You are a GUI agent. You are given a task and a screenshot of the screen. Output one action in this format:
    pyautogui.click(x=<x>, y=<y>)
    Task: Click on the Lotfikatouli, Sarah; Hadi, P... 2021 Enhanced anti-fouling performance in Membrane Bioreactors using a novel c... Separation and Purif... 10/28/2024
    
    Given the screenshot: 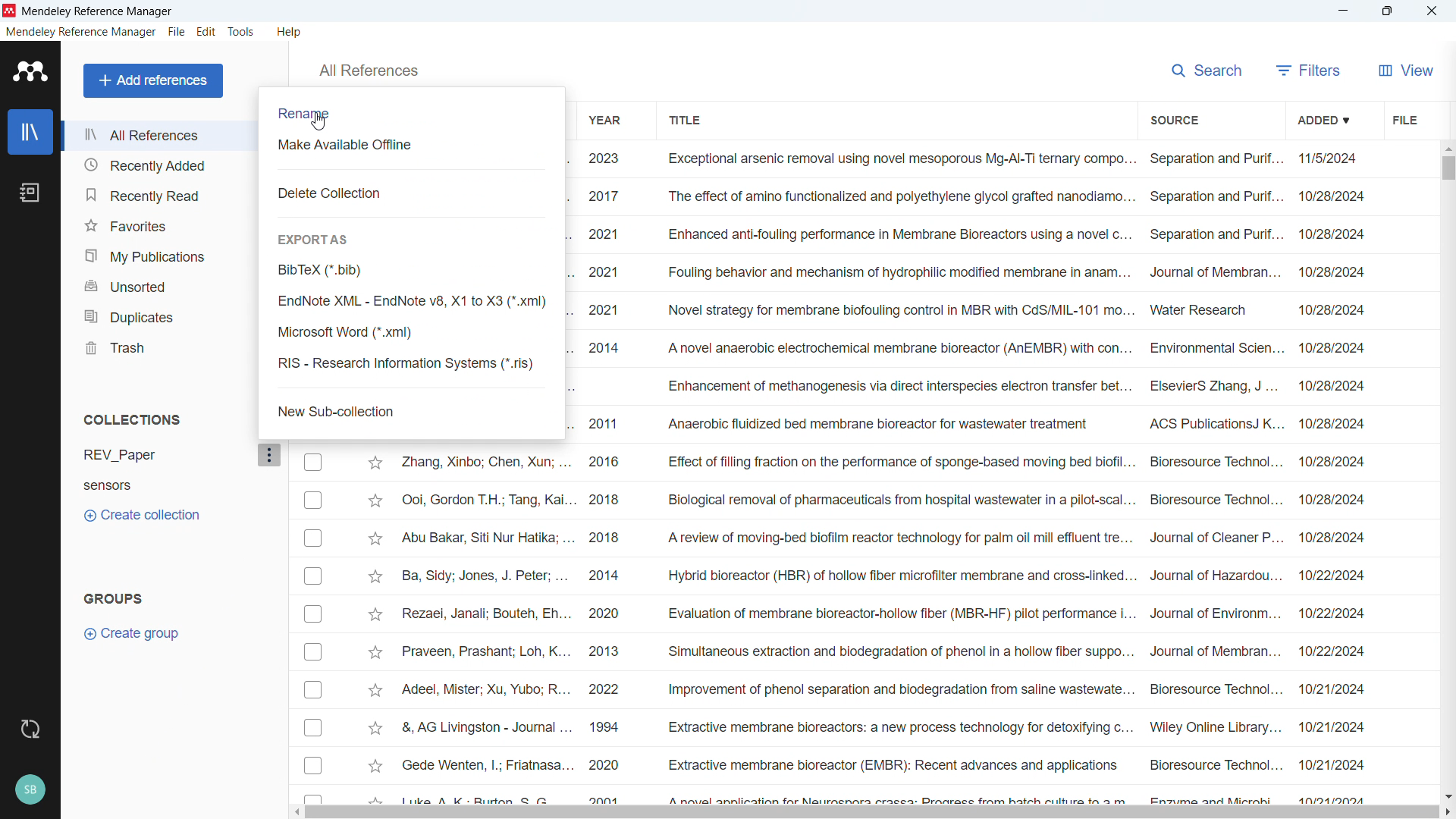 What is the action you would take?
    pyautogui.click(x=968, y=234)
    